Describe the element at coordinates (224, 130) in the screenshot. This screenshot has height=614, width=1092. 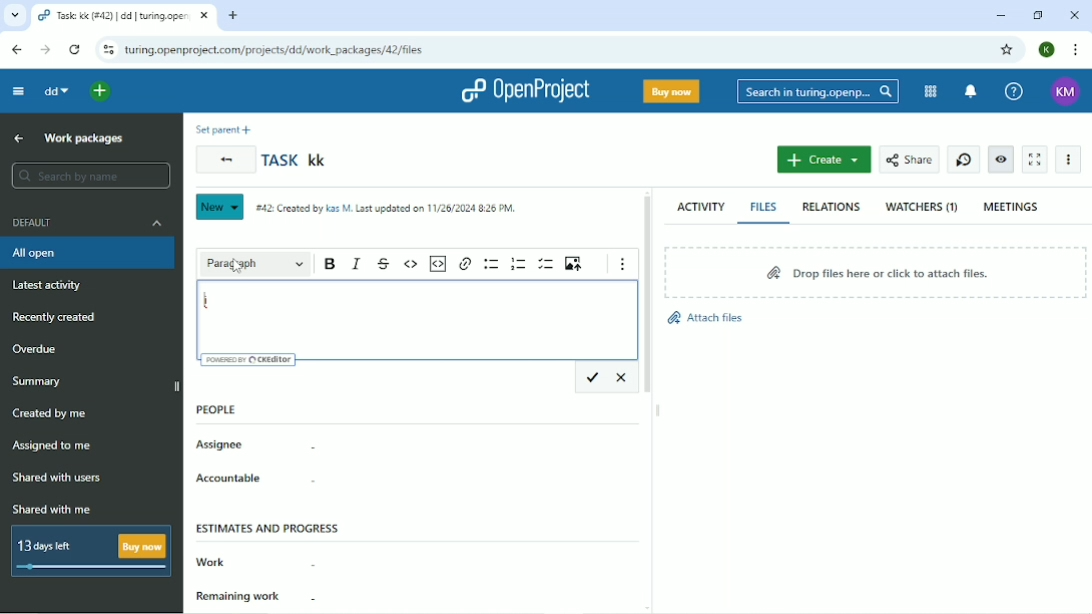
I see `Set parent` at that location.